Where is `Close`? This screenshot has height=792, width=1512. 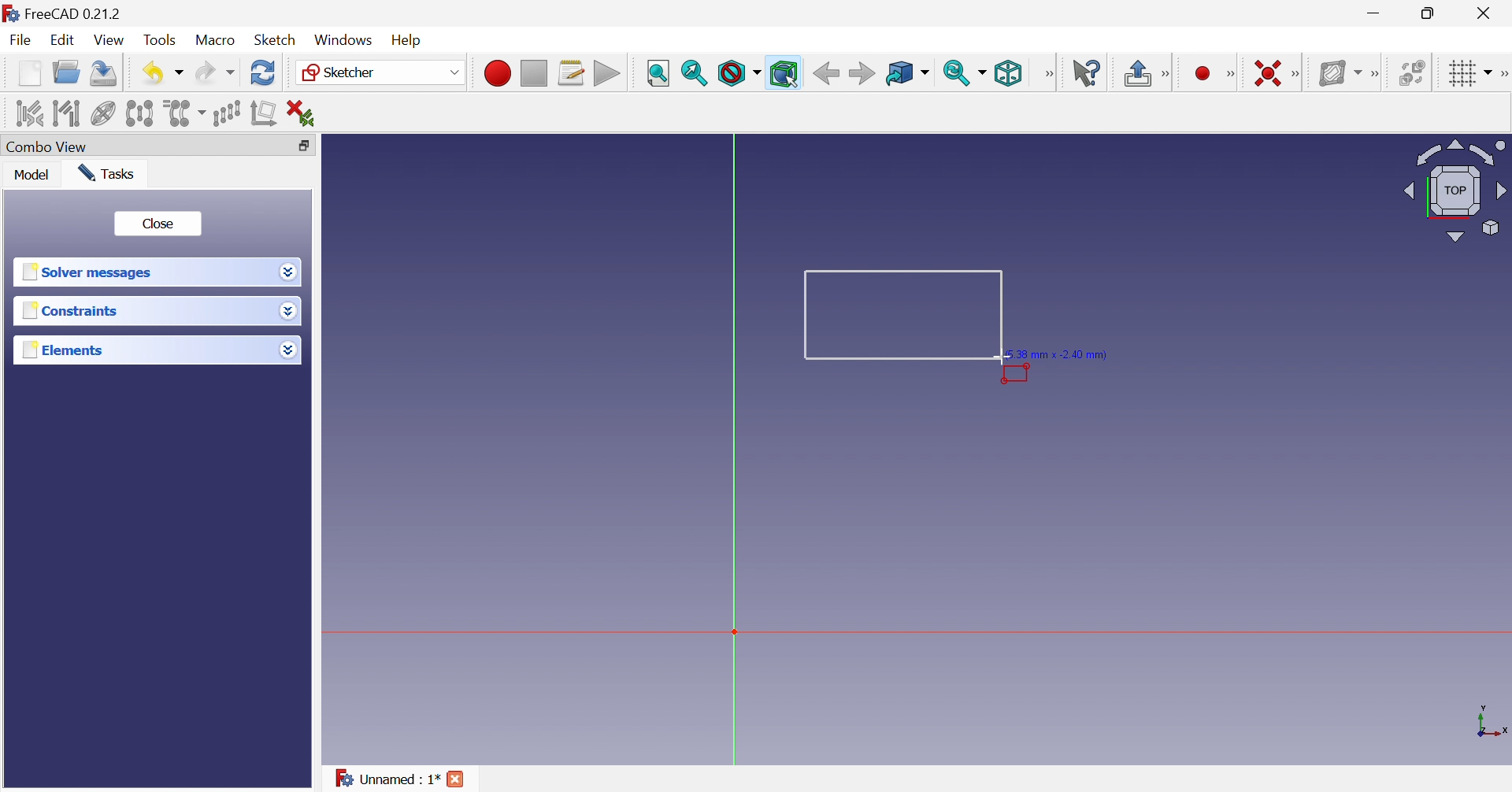 Close is located at coordinates (456, 778).